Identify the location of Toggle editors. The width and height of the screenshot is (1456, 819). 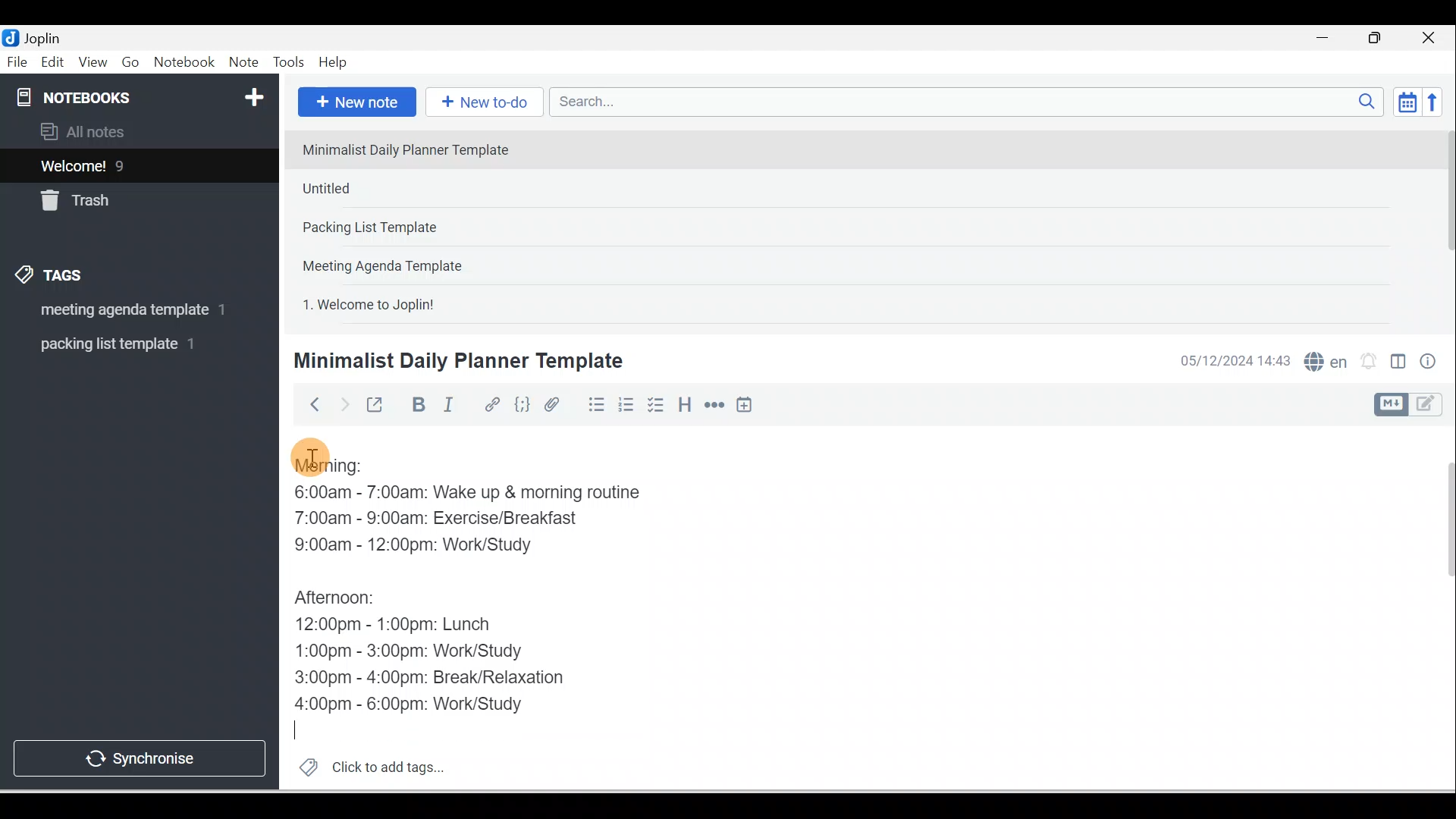
(1398, 364).